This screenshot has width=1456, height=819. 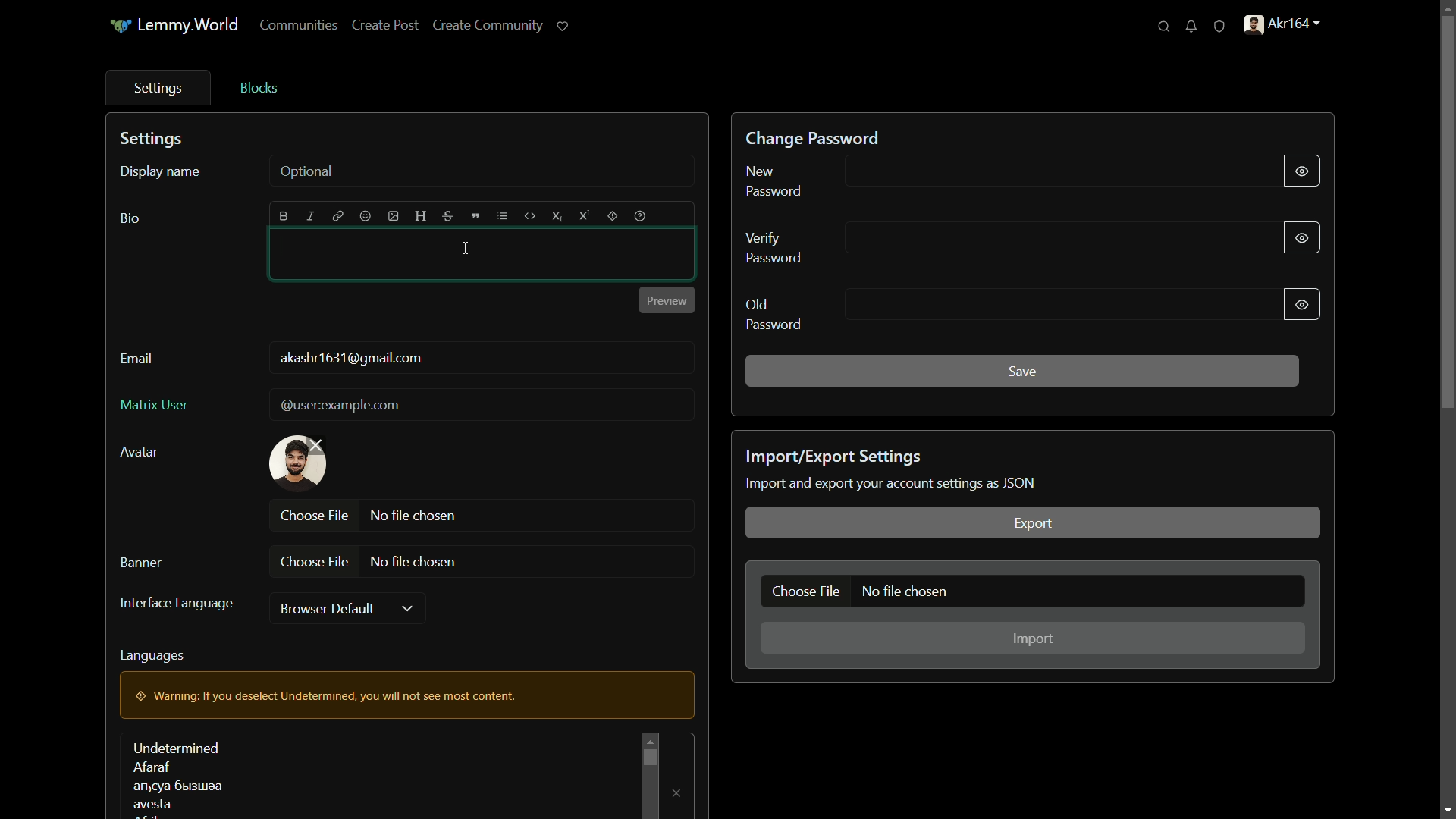 I want to click on languages, so click(x=177, y=776).